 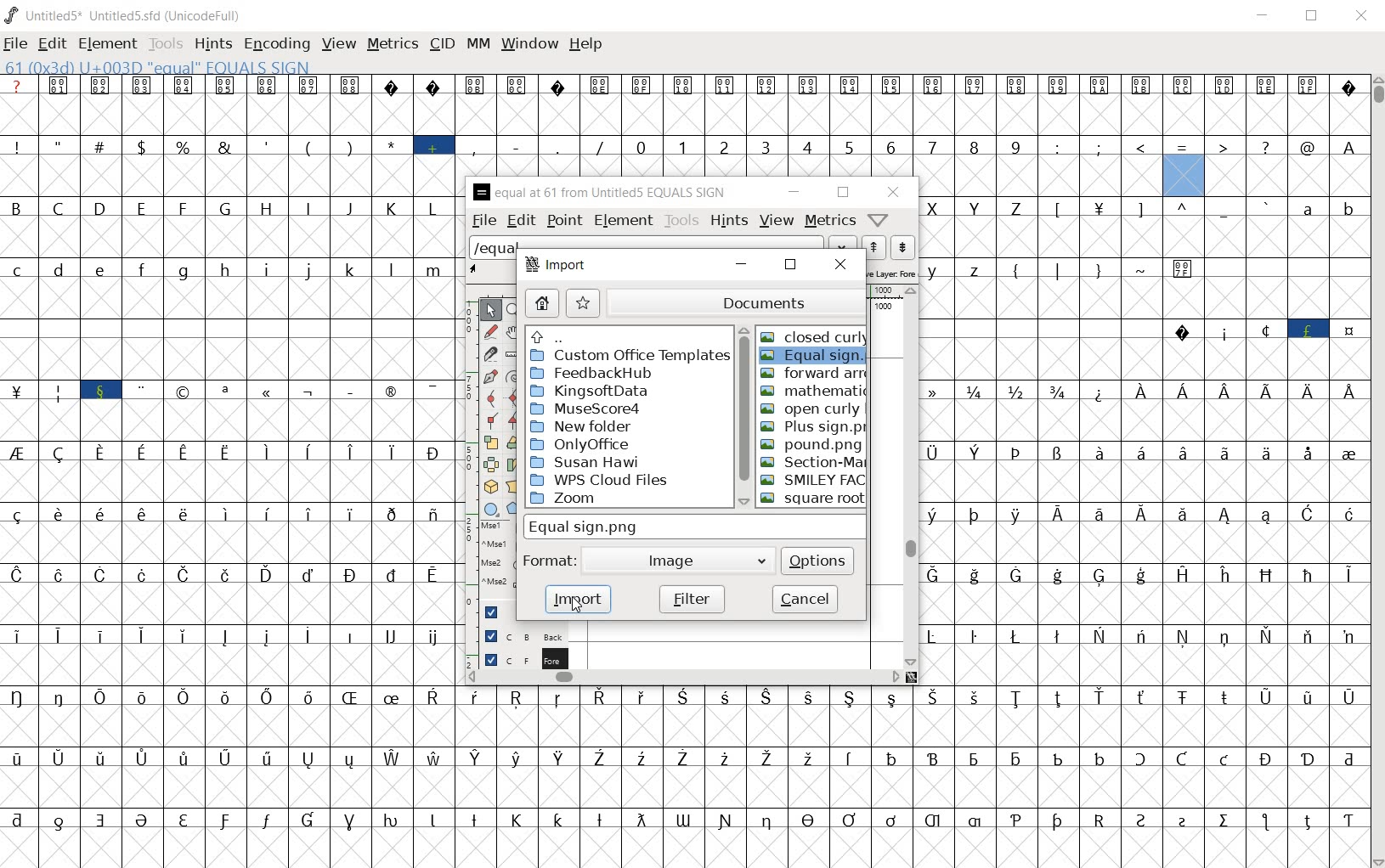 I want to click on minimize, so click(x=1263, y=15).